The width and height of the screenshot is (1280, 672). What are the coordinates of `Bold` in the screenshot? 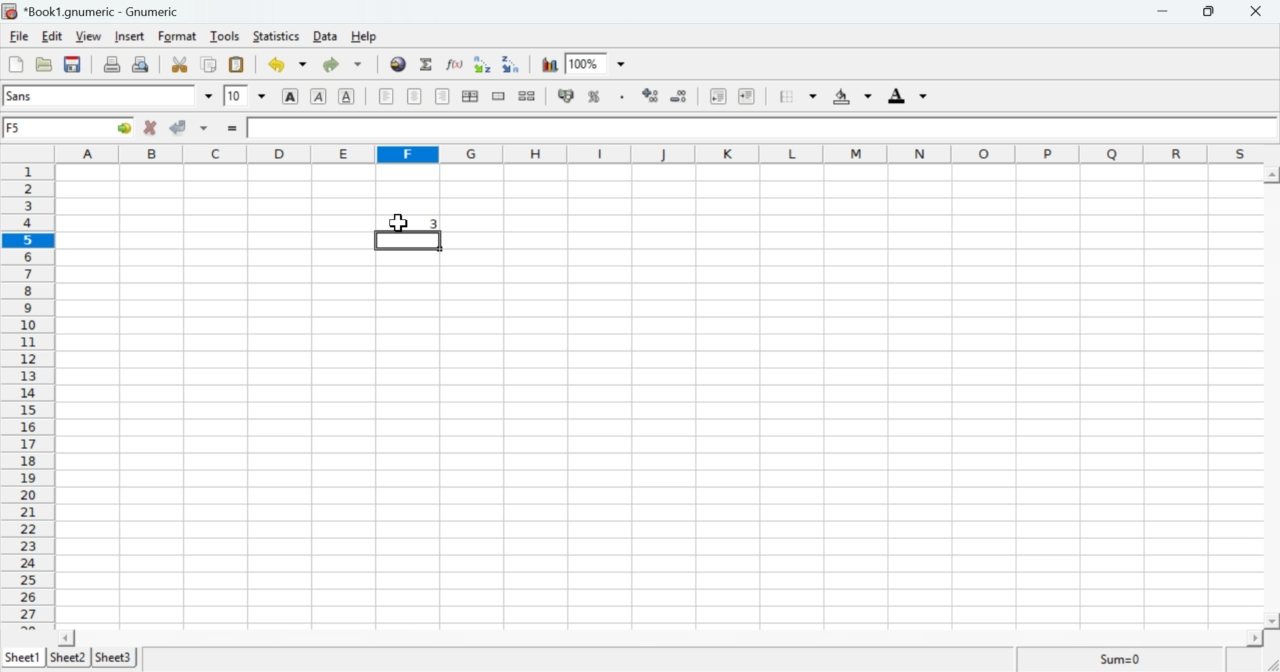 It's located at (287, 97).